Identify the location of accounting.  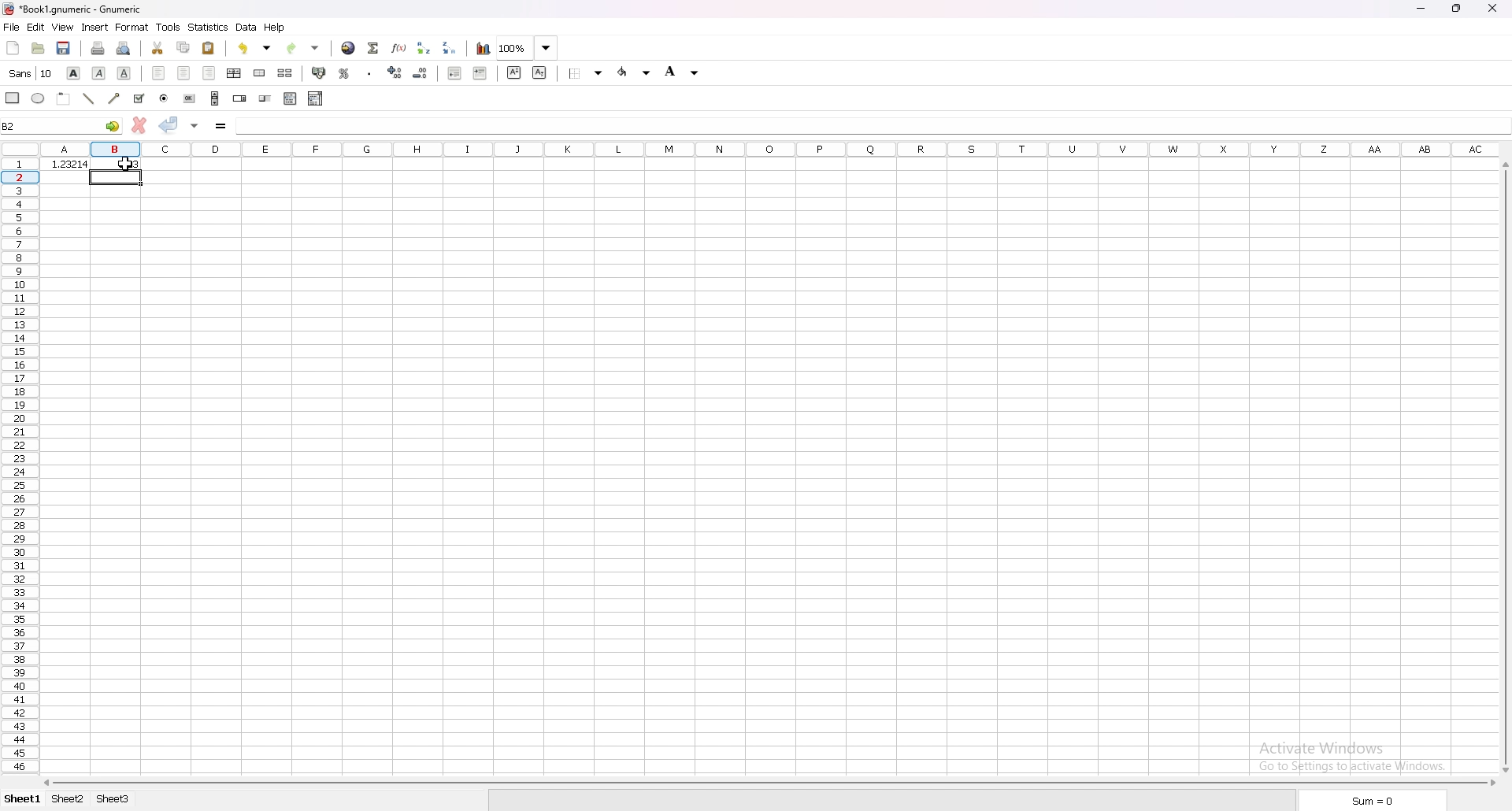
(319, 72).